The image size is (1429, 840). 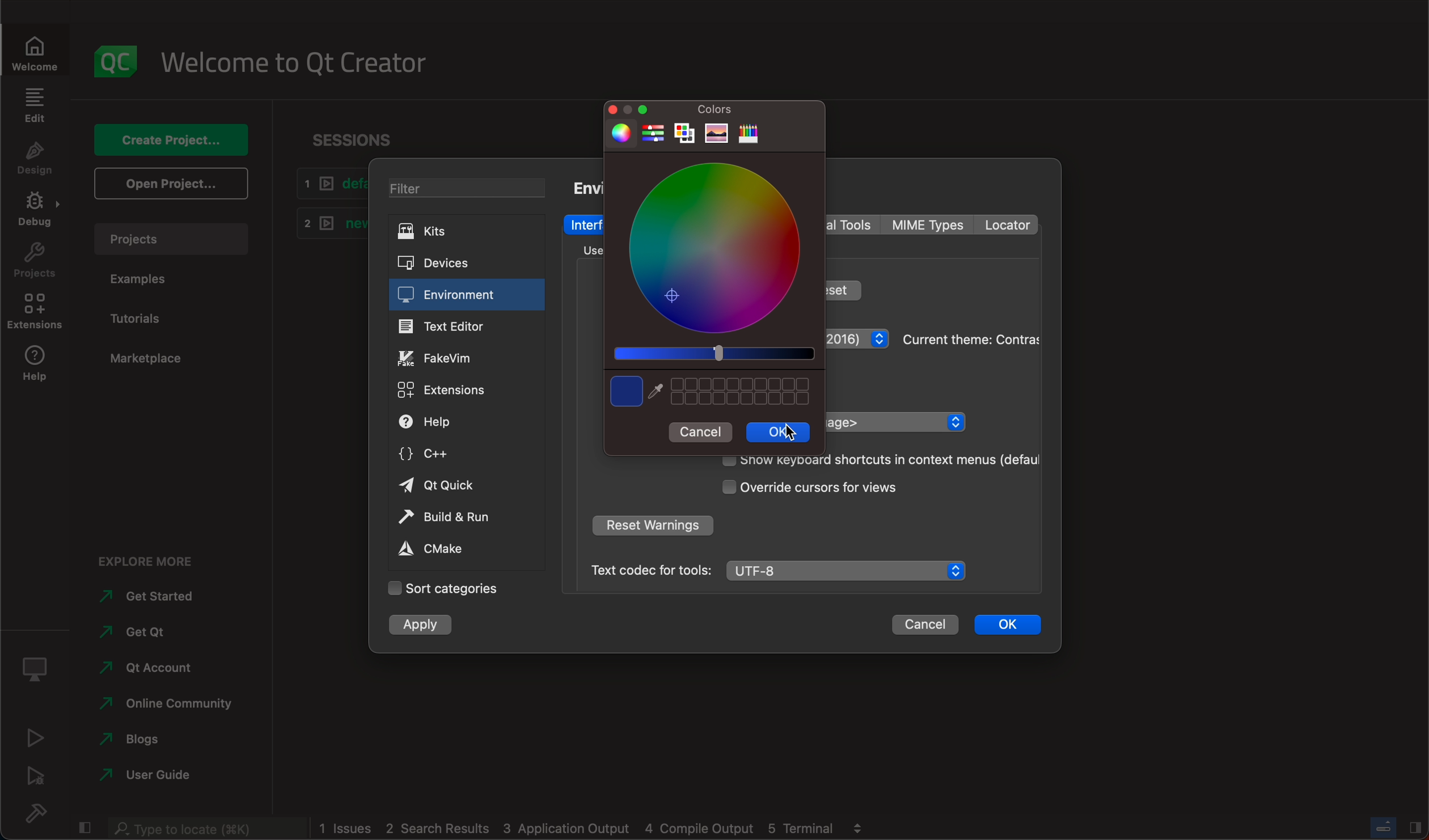 What do you see at coordinates (34, 160) in the screenshot?
I see `Design` at bounding box center [34, 160].